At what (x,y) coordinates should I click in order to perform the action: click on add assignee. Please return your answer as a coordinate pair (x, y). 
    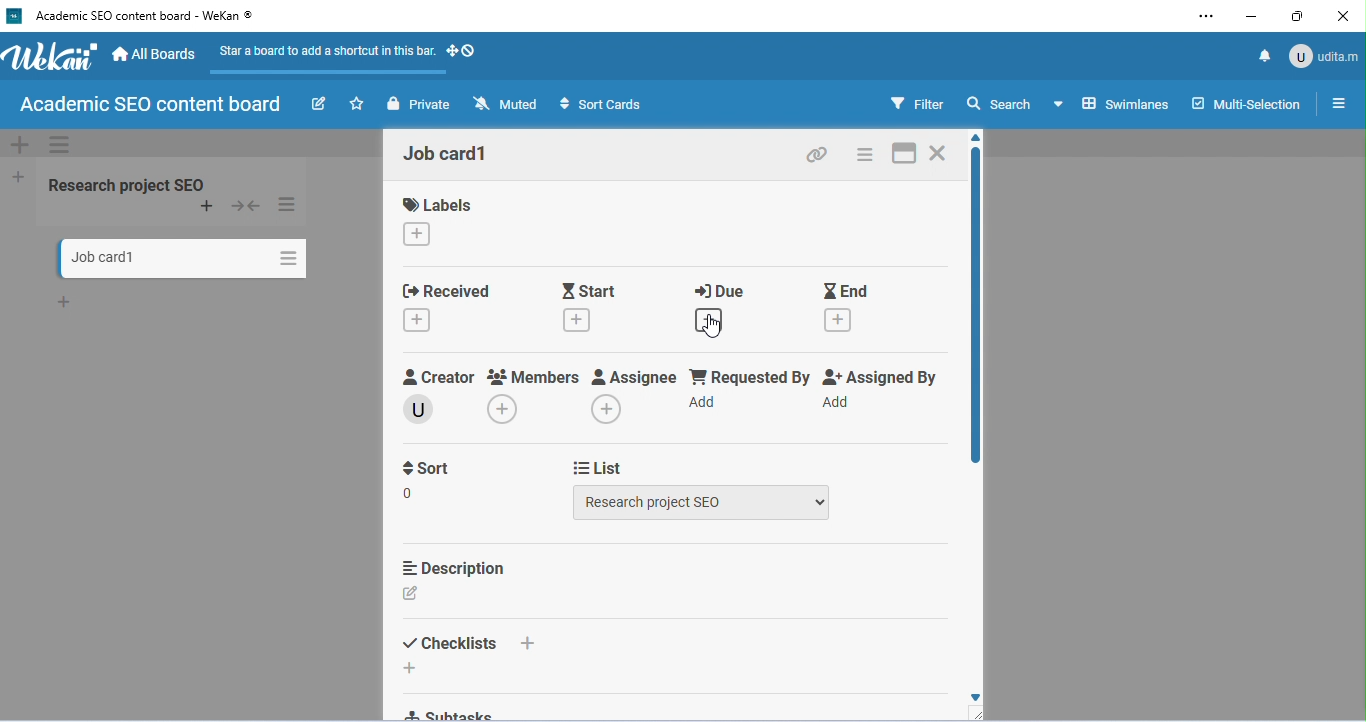
    Looking at the image, I should click on (608, 408).